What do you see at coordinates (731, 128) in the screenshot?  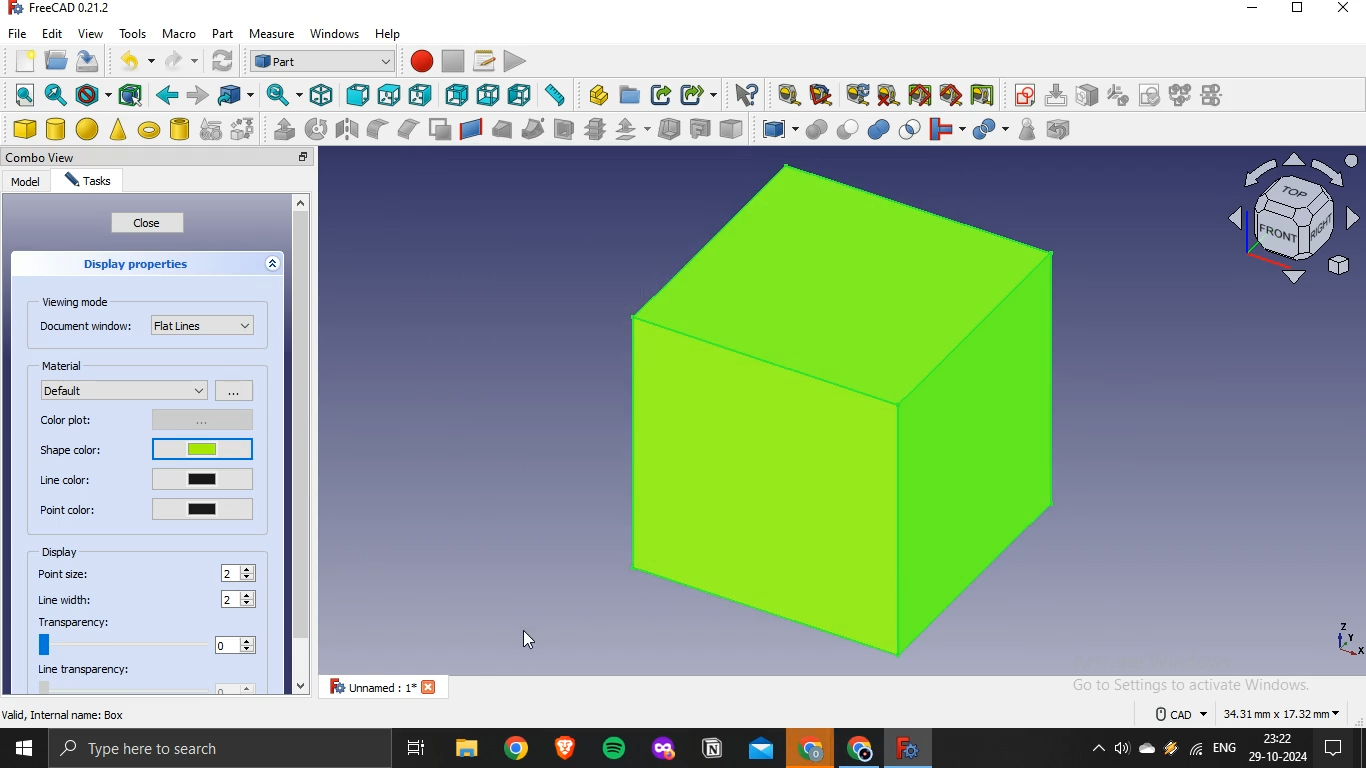 I see `color per face` at bounding box center [731, 128].